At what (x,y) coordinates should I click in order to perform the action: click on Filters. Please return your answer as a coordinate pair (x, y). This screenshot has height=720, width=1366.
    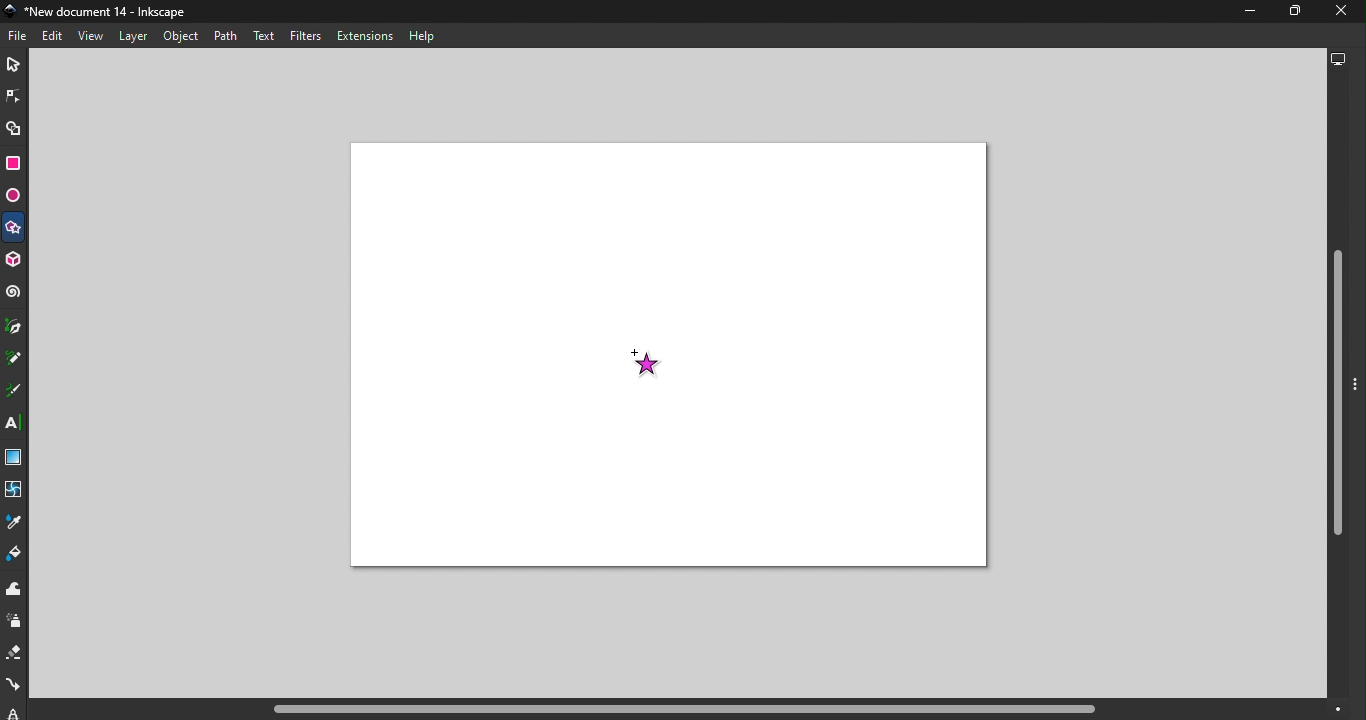
    Looking at the image, I should click on (305, 37).